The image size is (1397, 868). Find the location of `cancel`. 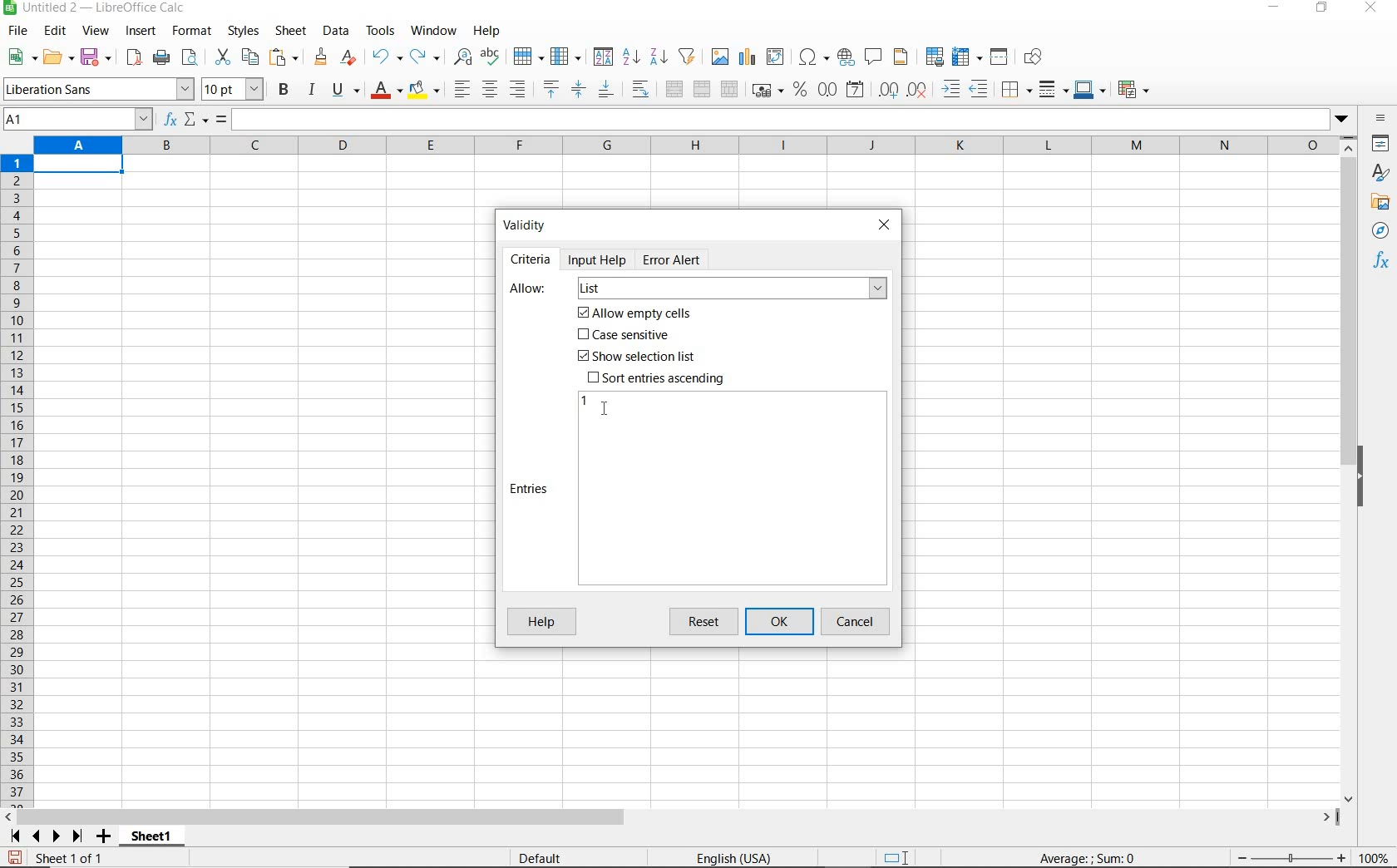

cancel is located at coordinates (857, 622).